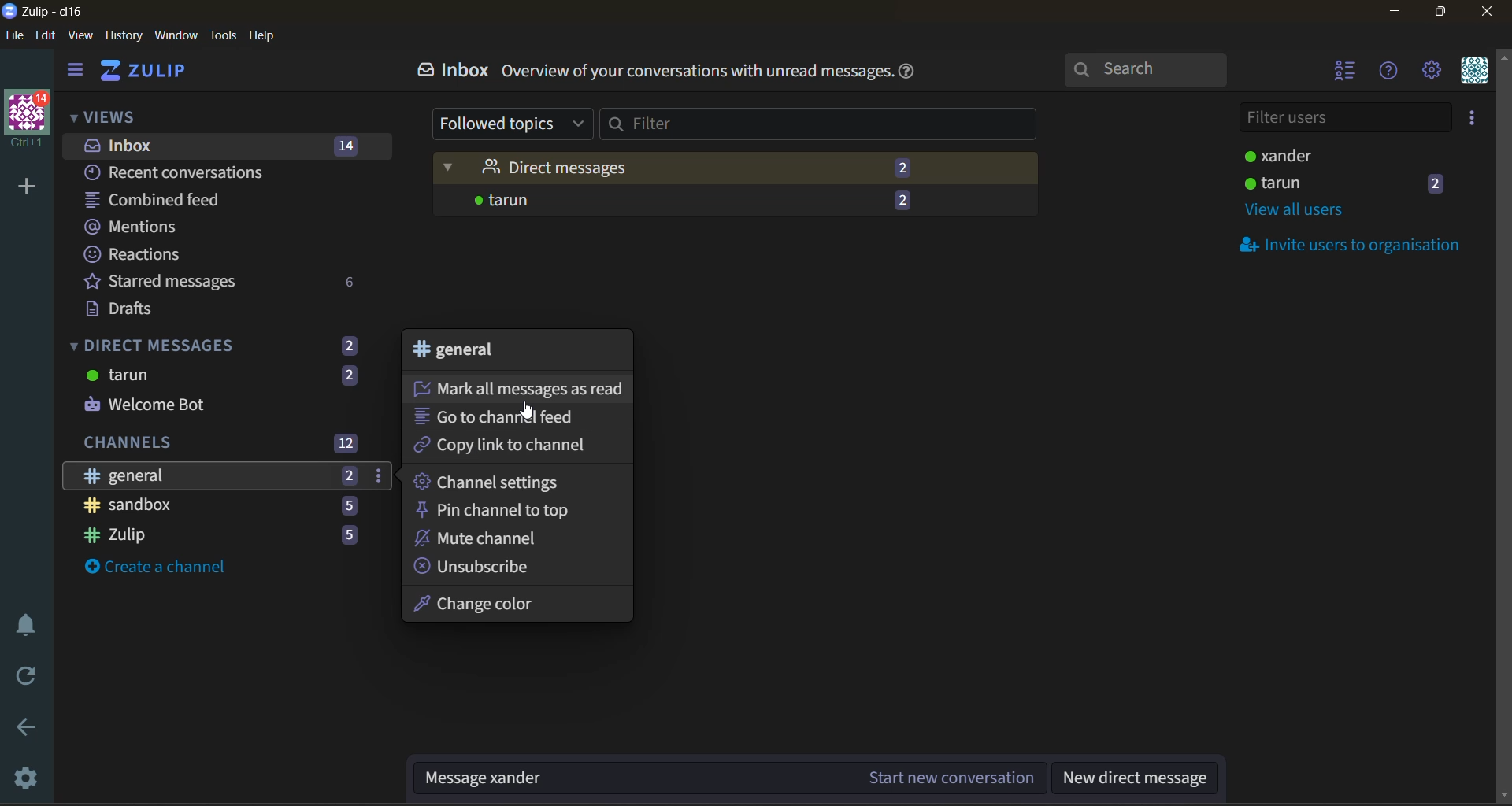 Image resolution: width=1512 pixels, height=806 pixels. Describe the element at coordinates (223, 537) in the screenshot. I see `zulip 5` at that location.